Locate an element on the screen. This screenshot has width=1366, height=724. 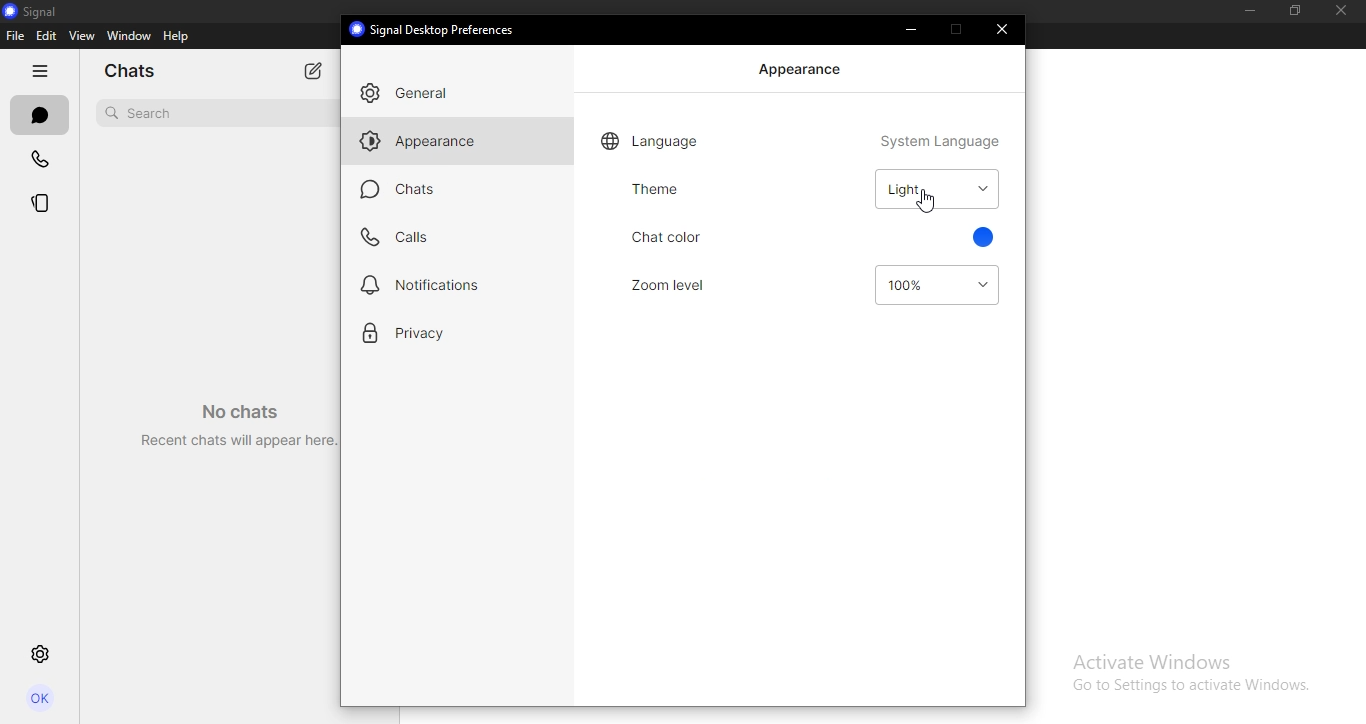
appearance is located at coordinates (803, 69).